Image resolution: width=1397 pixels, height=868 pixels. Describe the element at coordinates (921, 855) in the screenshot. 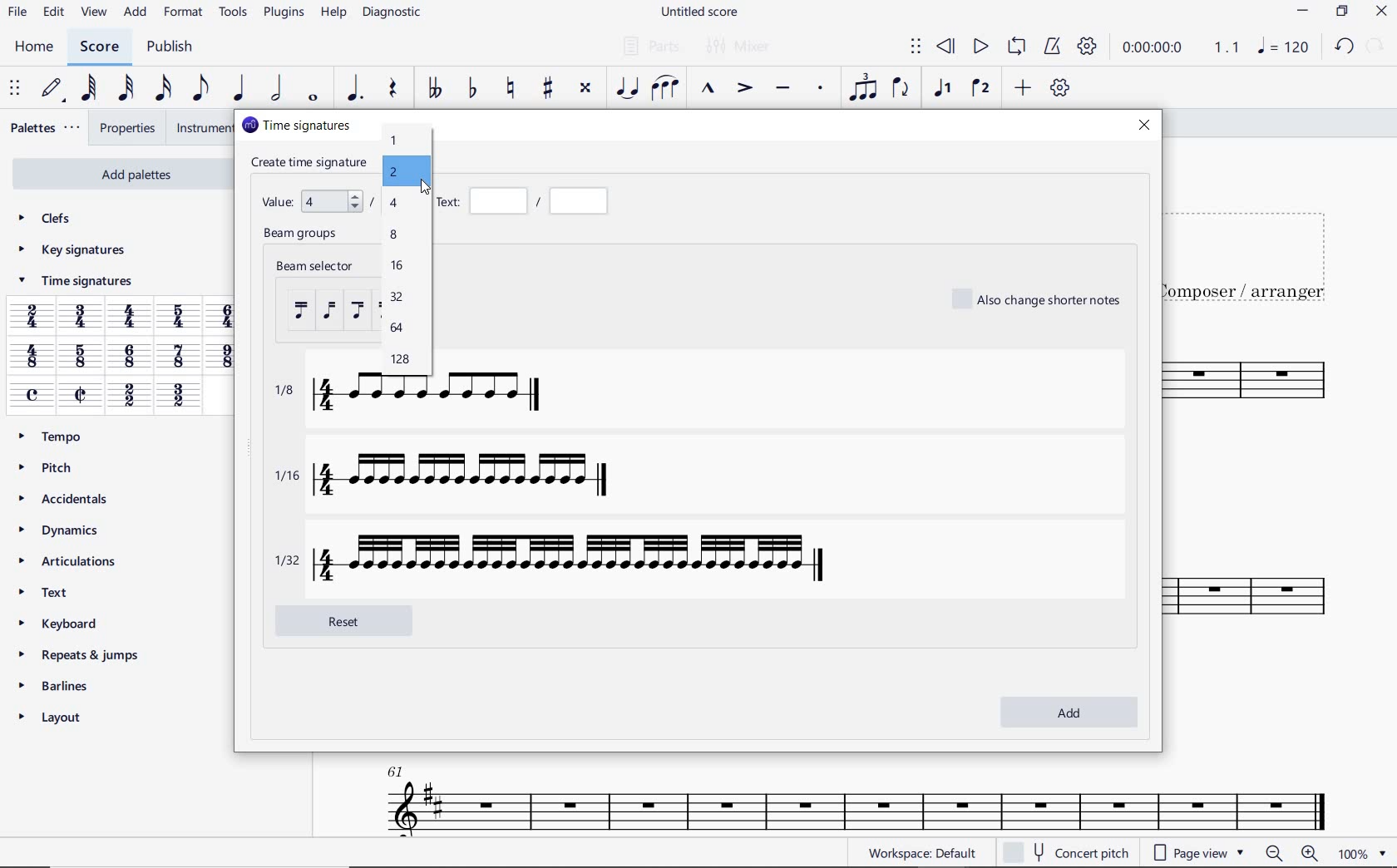

I see `workspace default` at that location.